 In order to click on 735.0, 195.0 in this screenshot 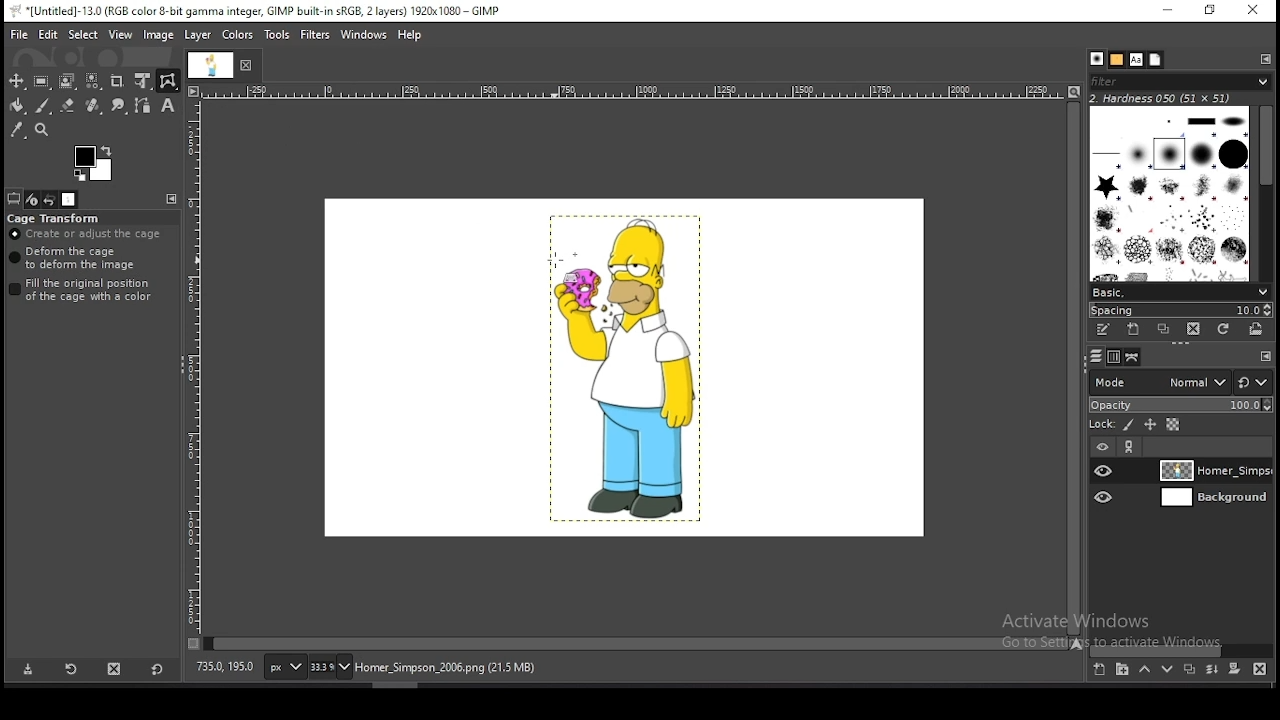, I will do `click(225, 665)`.